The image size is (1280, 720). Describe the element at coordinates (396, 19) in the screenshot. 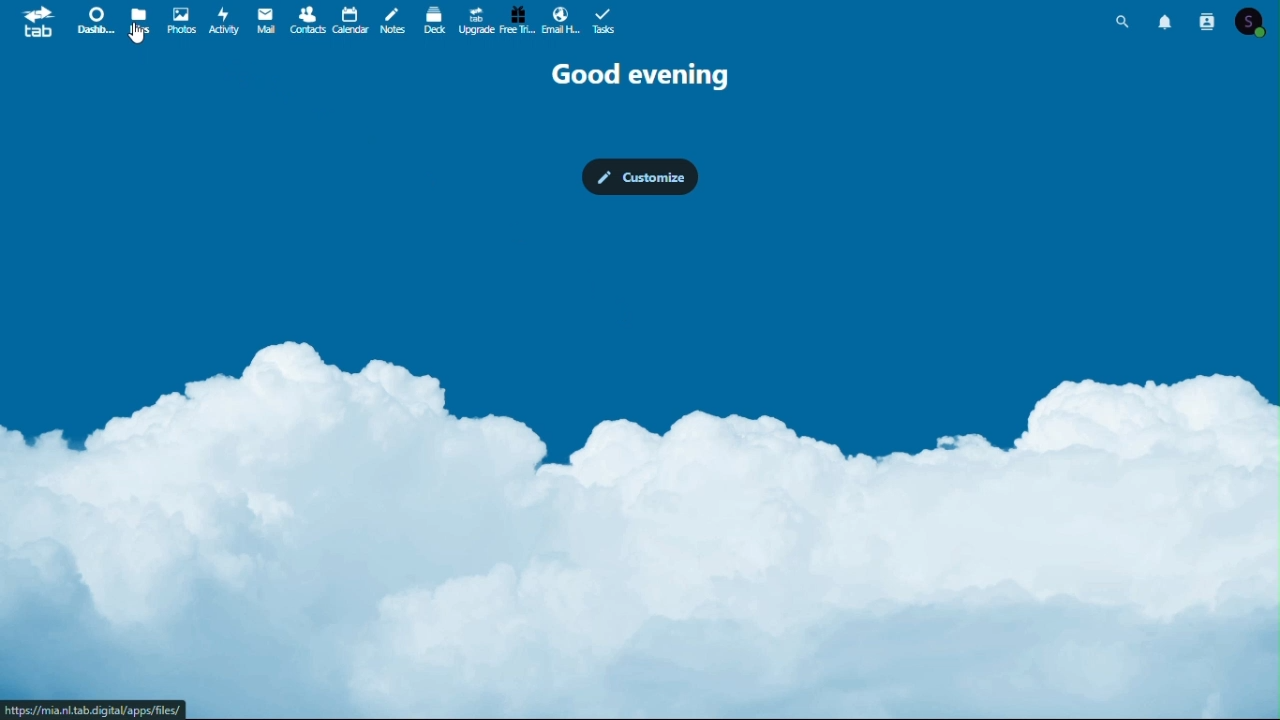

I see `notes` at that location.